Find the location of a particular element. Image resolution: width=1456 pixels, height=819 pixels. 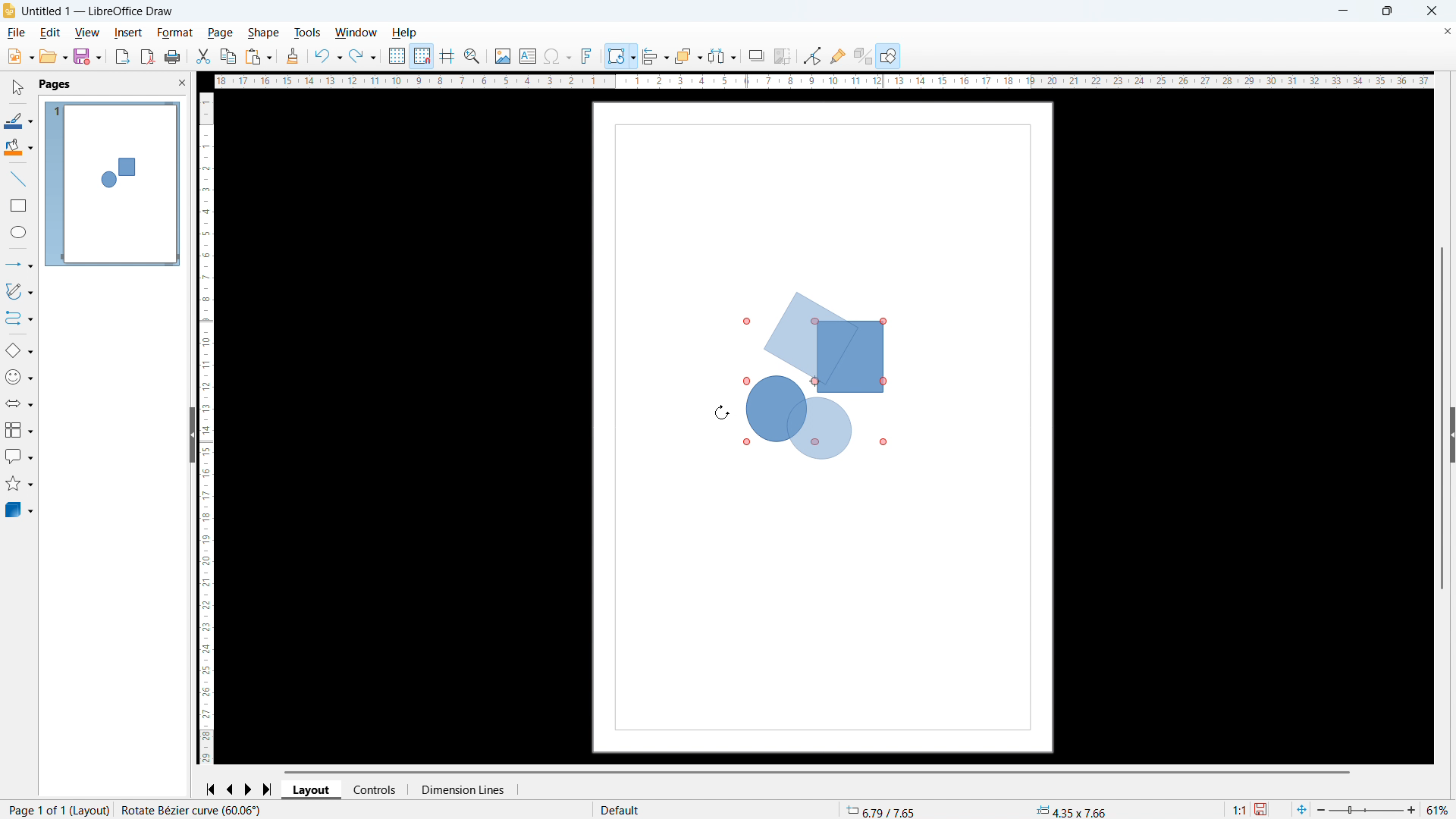

select  is located at coordinates (19, 88).